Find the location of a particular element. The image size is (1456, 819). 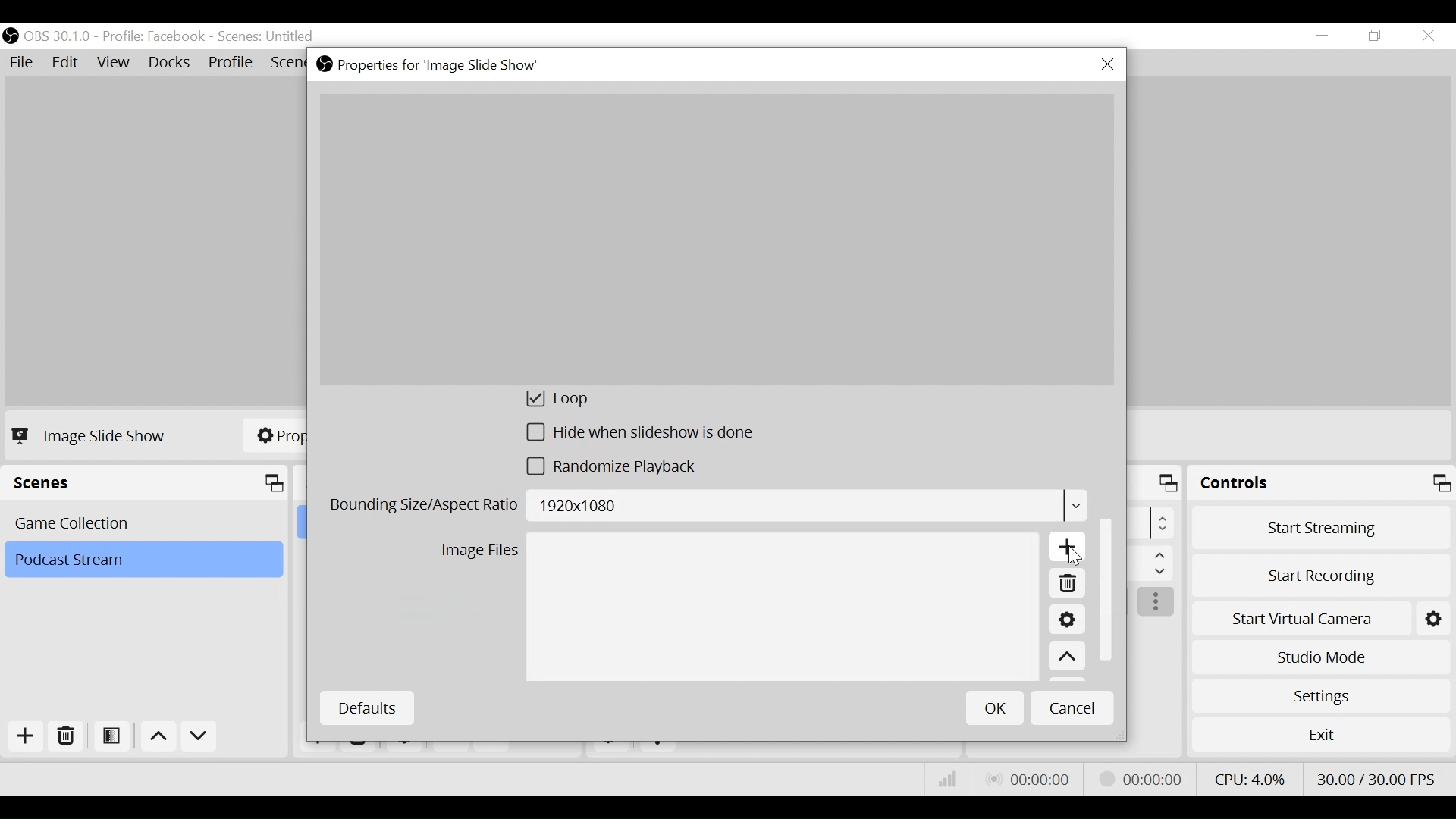

minimize is located at coordinates (1326, 36).